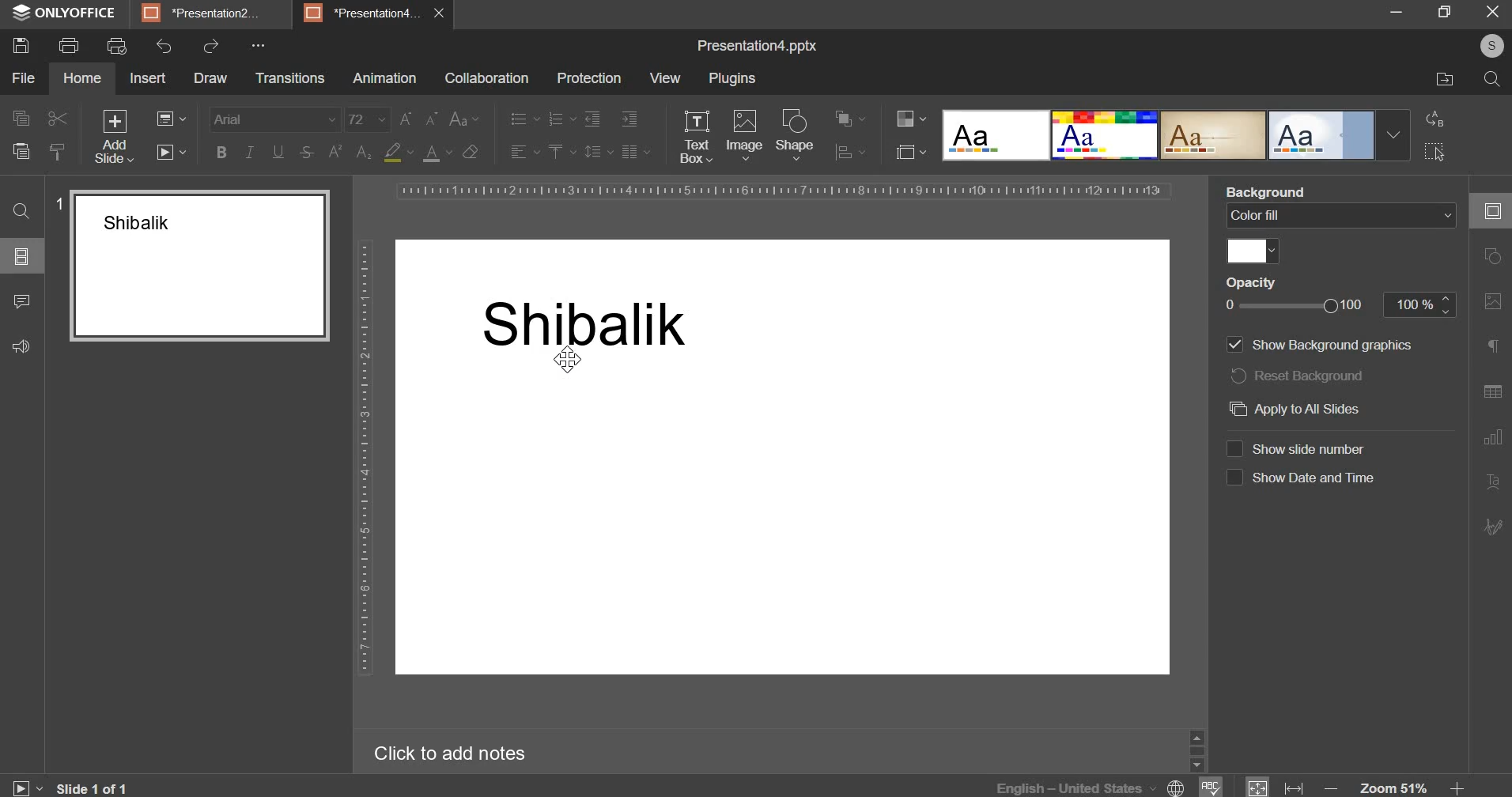 The width and height of the screenshot is (1512, 797). Describe the element at coordinates (744, 135) in the screenshot. I see `image` at that location.